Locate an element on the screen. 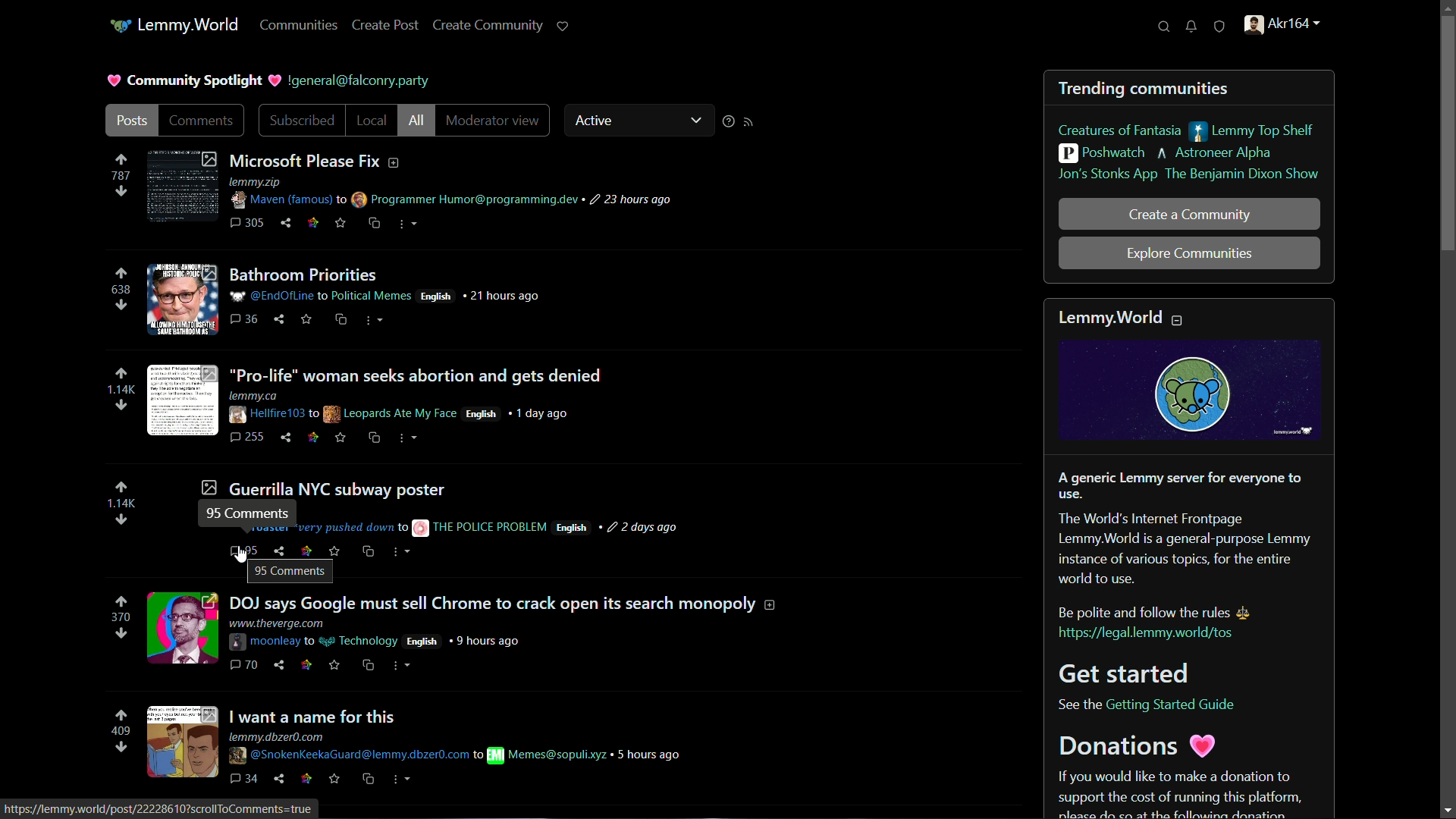 This screenshot has height=819, width=1456. | want a name for this is located at coordinates (316, 717).